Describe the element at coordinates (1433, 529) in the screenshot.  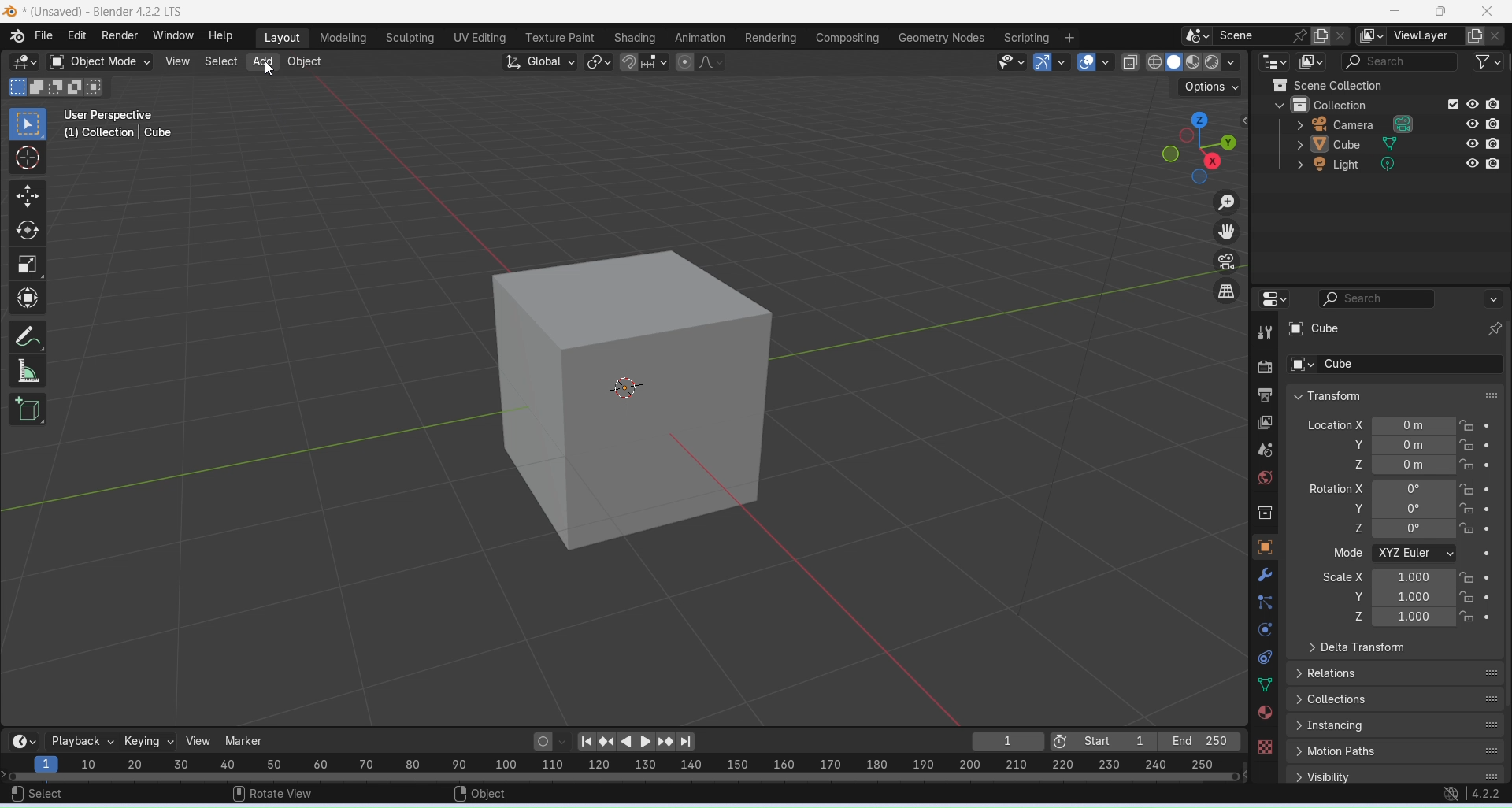
I see `Rotation Z` at that location.